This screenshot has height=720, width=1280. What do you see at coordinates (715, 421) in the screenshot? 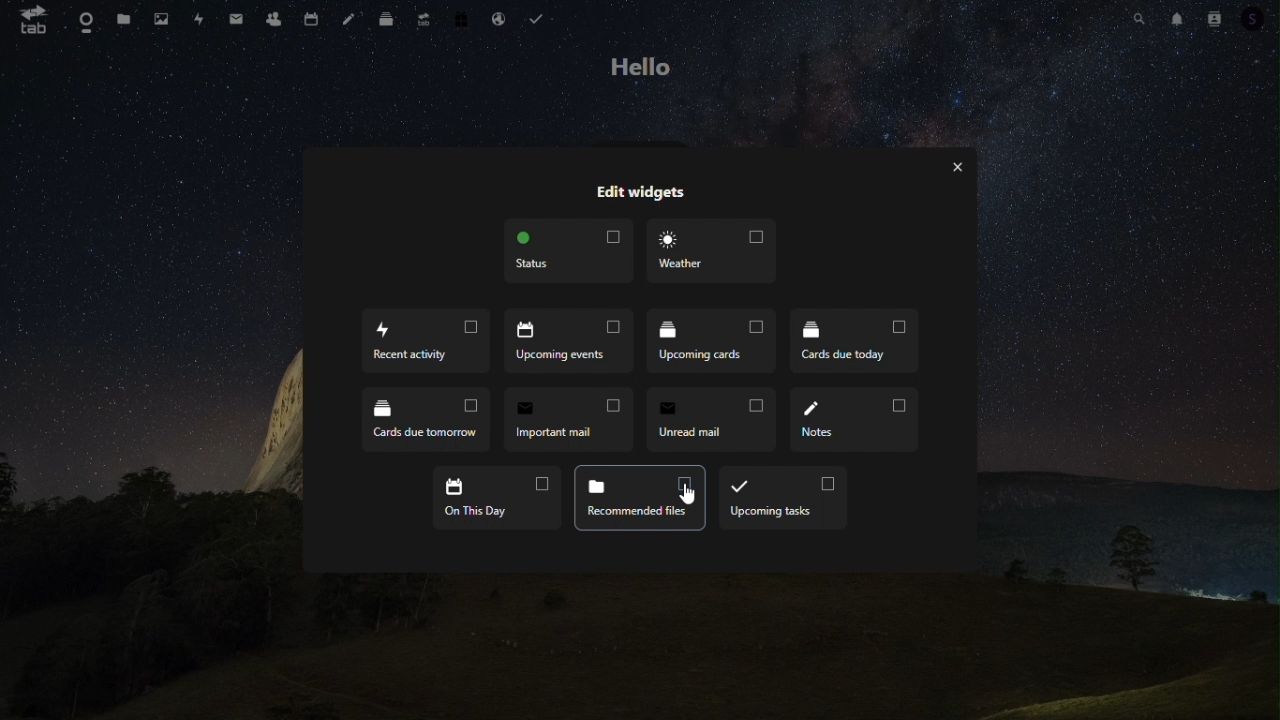
I see `unread mail` at bounding box center [715, 421].